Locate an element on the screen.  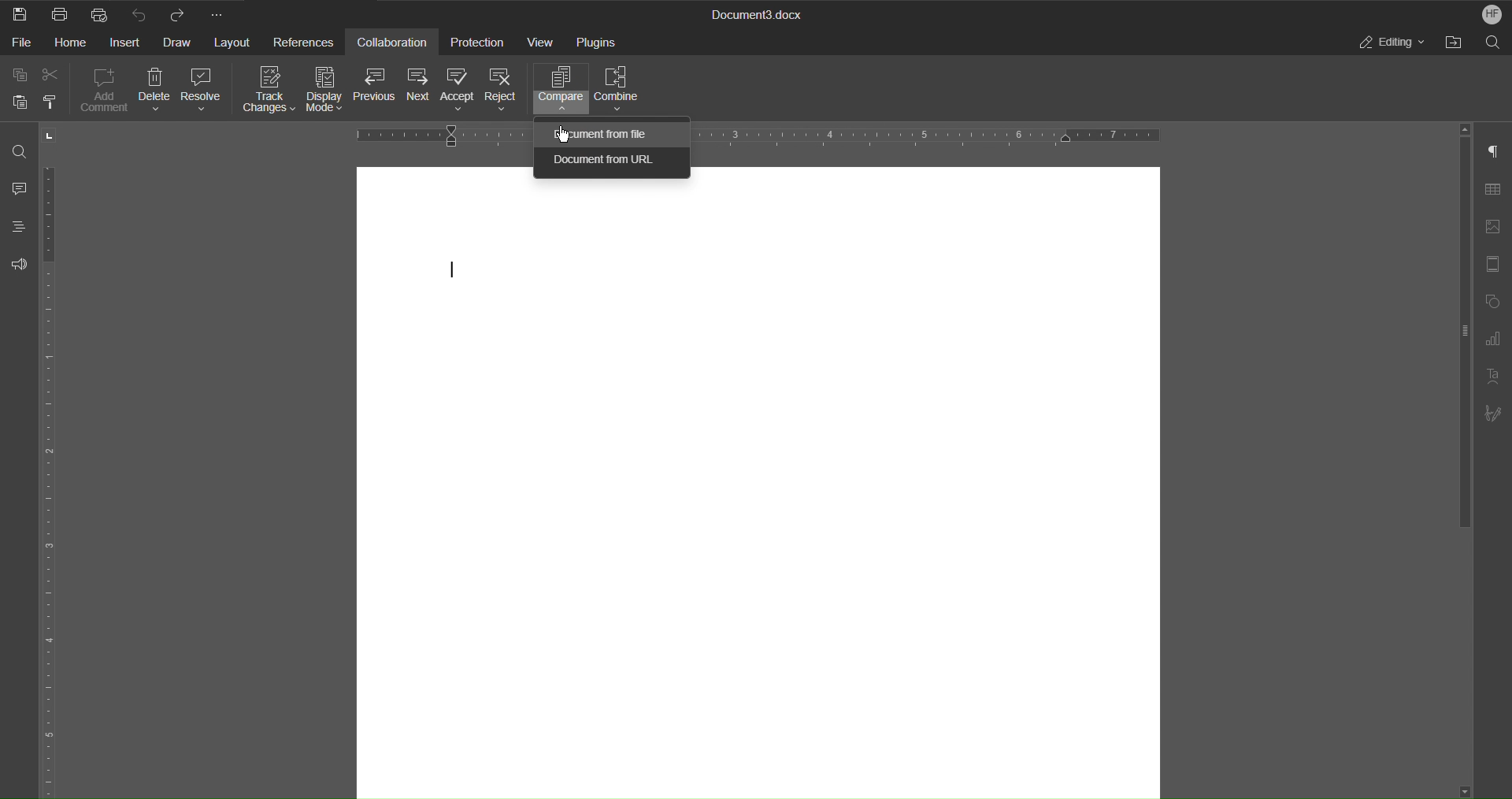
Table Settings is located at coordinates (1496, 188).